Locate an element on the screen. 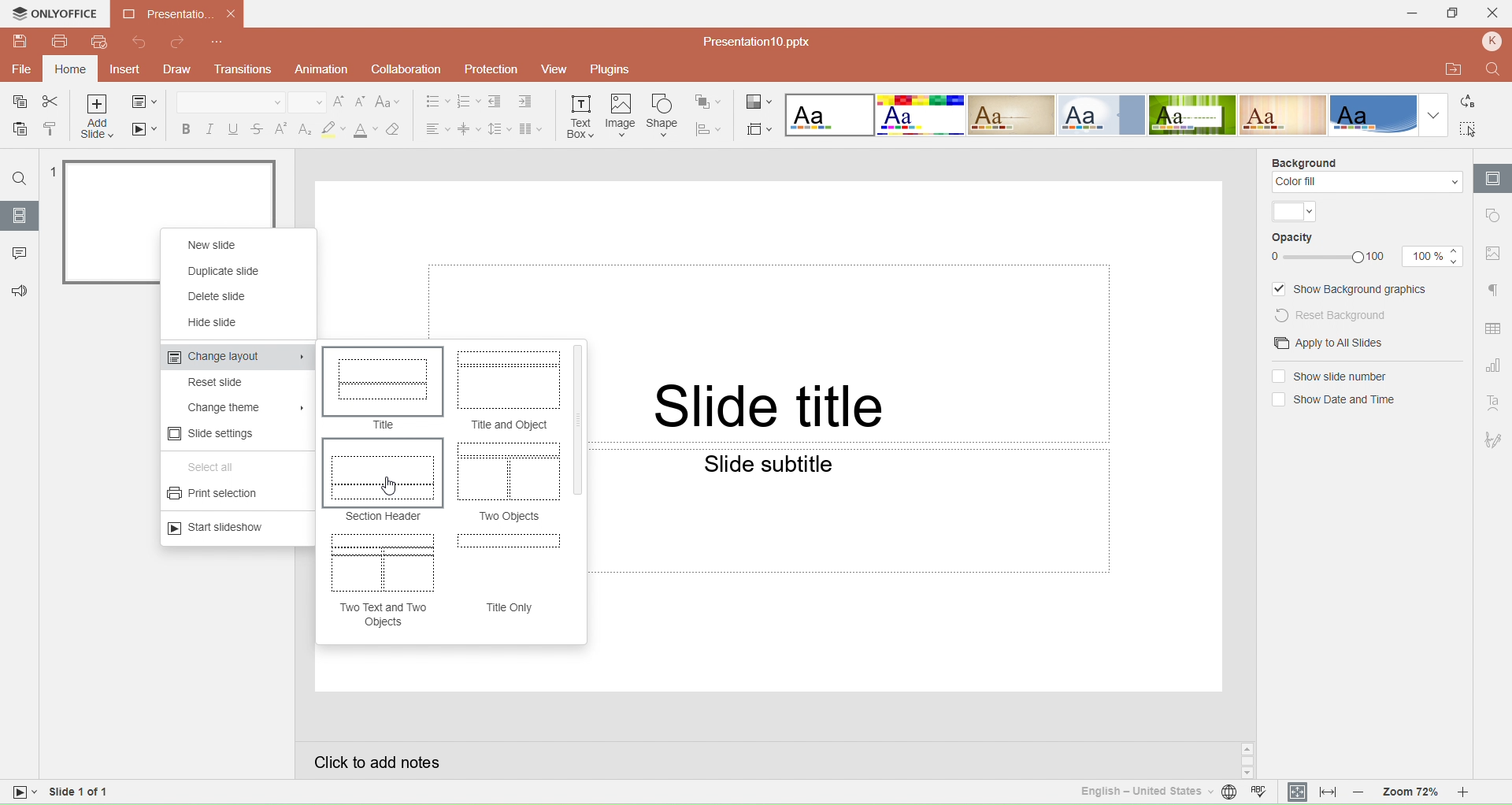 Image resolution: width=1512 pixels, height=805 pixels. Paste is located at coordinates (17, 130).